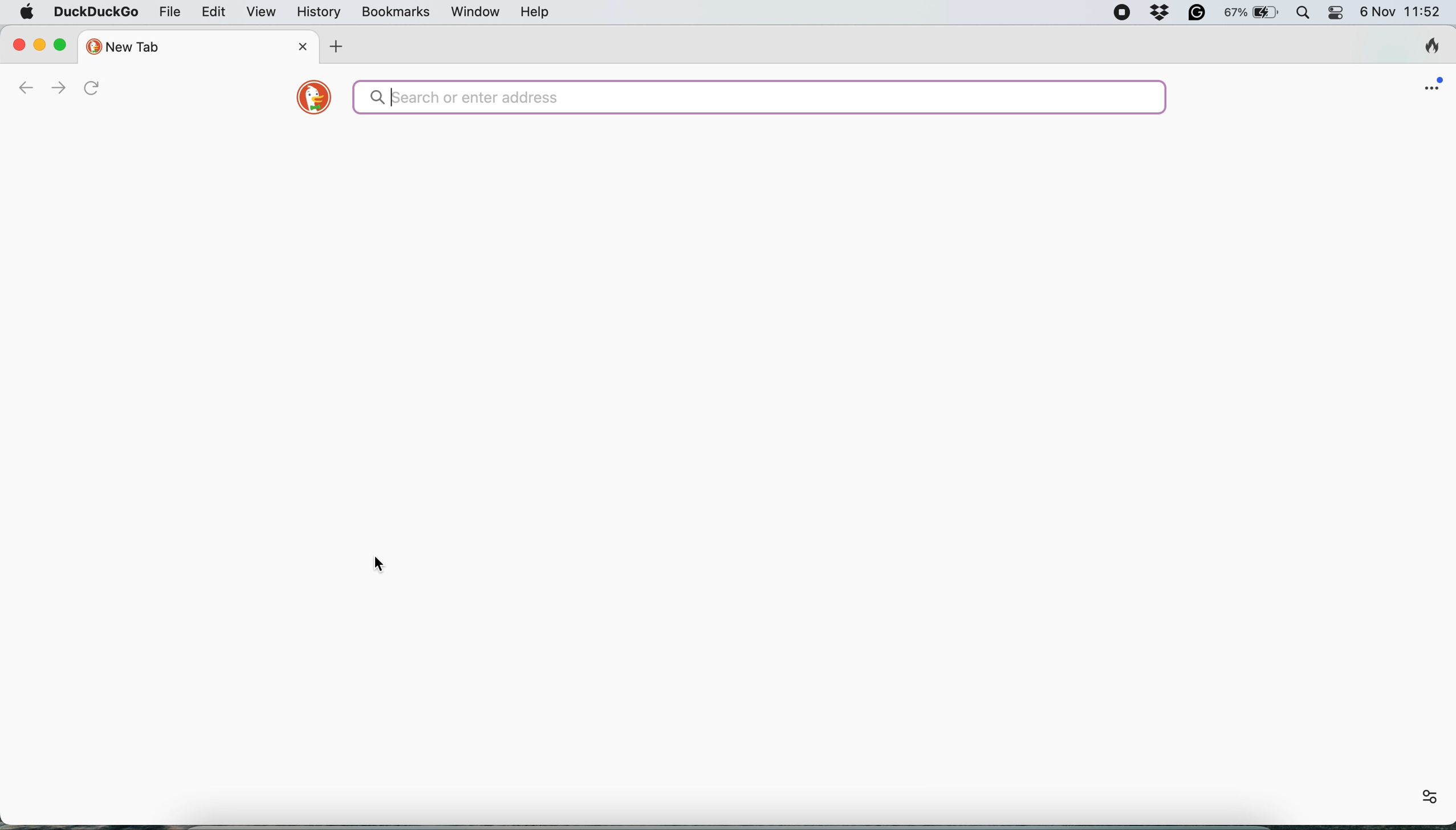 The image size is (1456, 830). I want to click on dropbox, so click(1164, 13).